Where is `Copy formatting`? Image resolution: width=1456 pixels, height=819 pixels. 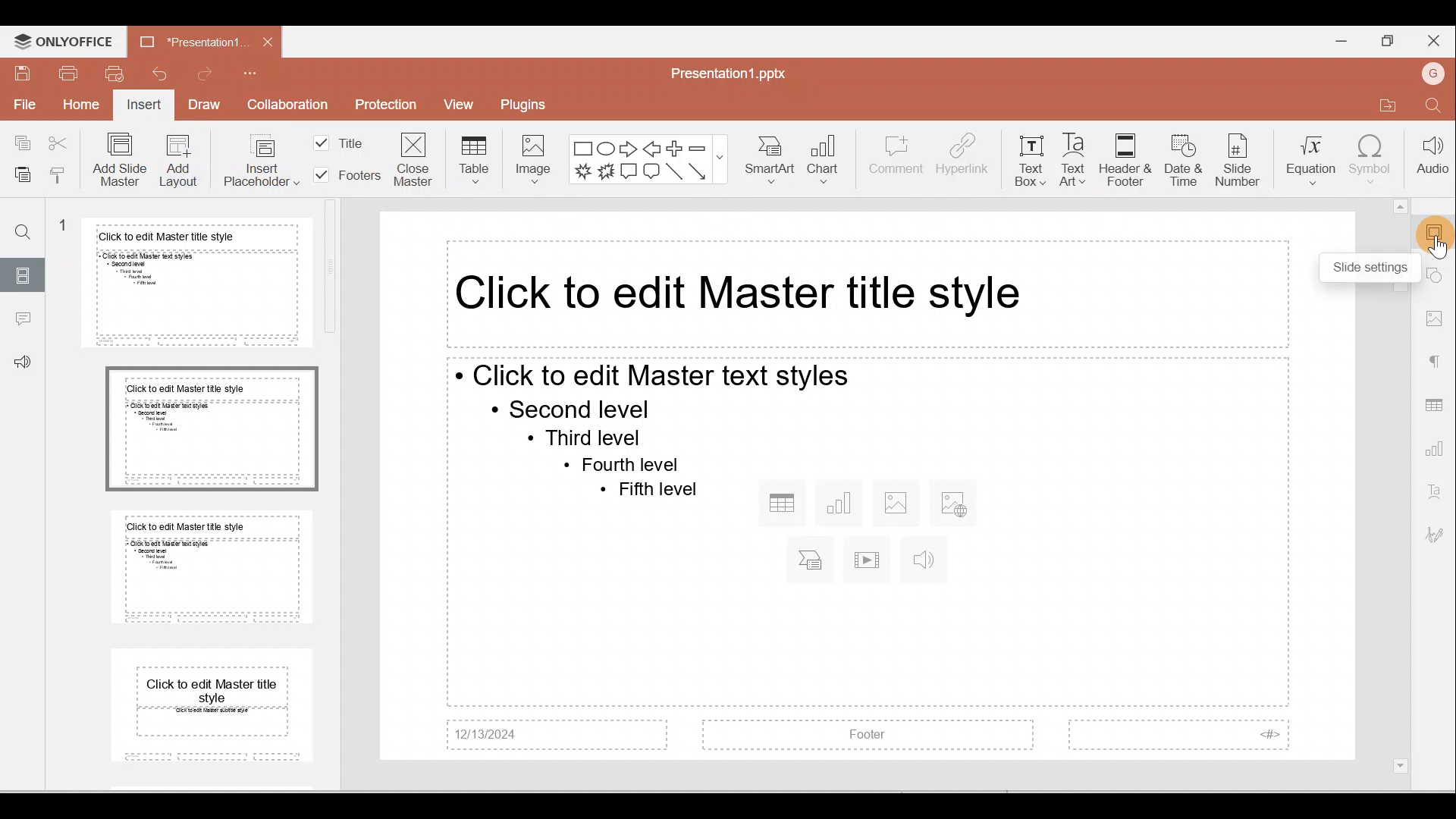
Copy formatting is located at coordinates (58, 172).